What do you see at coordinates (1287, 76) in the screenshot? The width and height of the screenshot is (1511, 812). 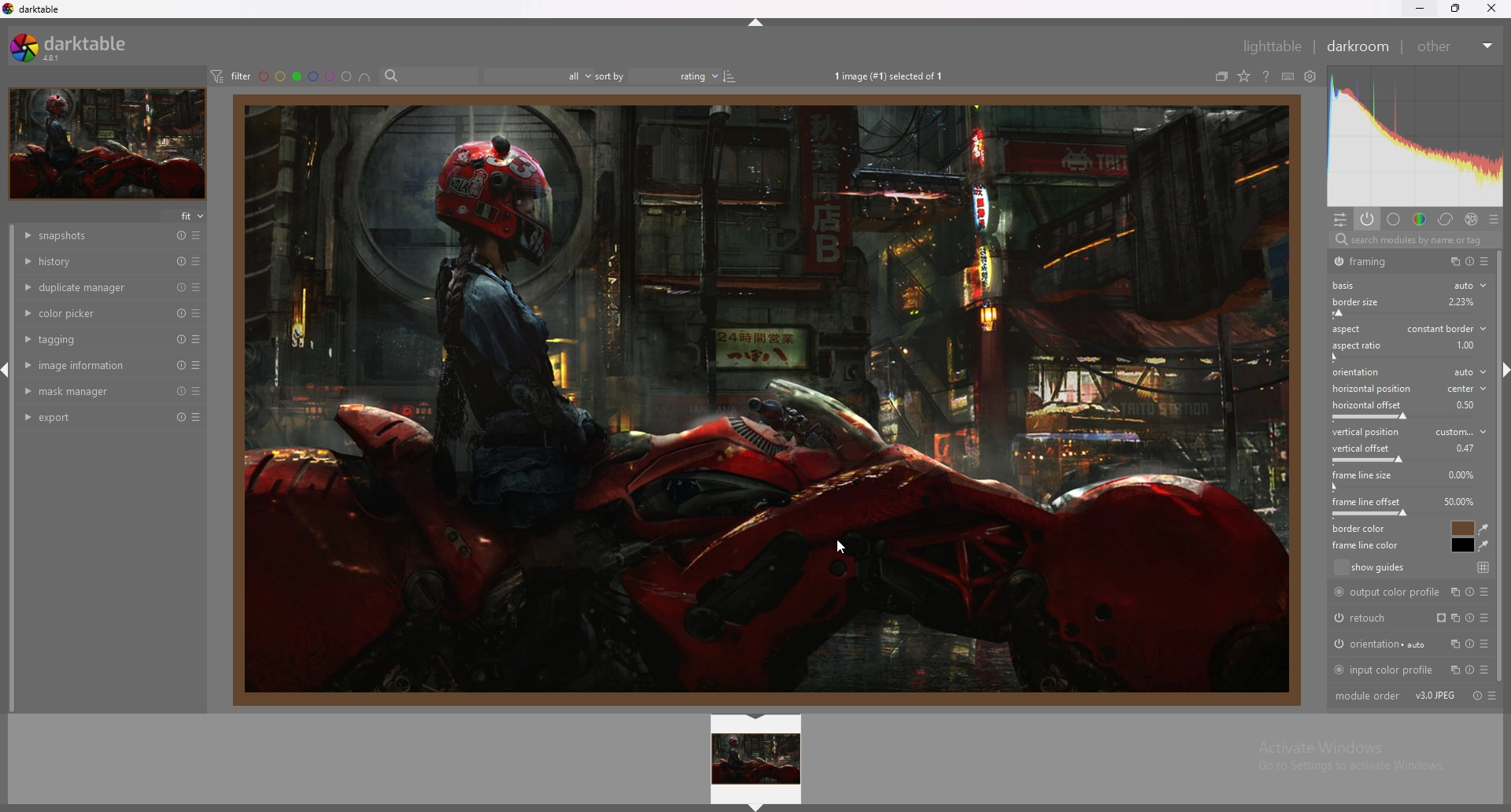 I see `define shortcuts` at bounding box center [1287, 76].